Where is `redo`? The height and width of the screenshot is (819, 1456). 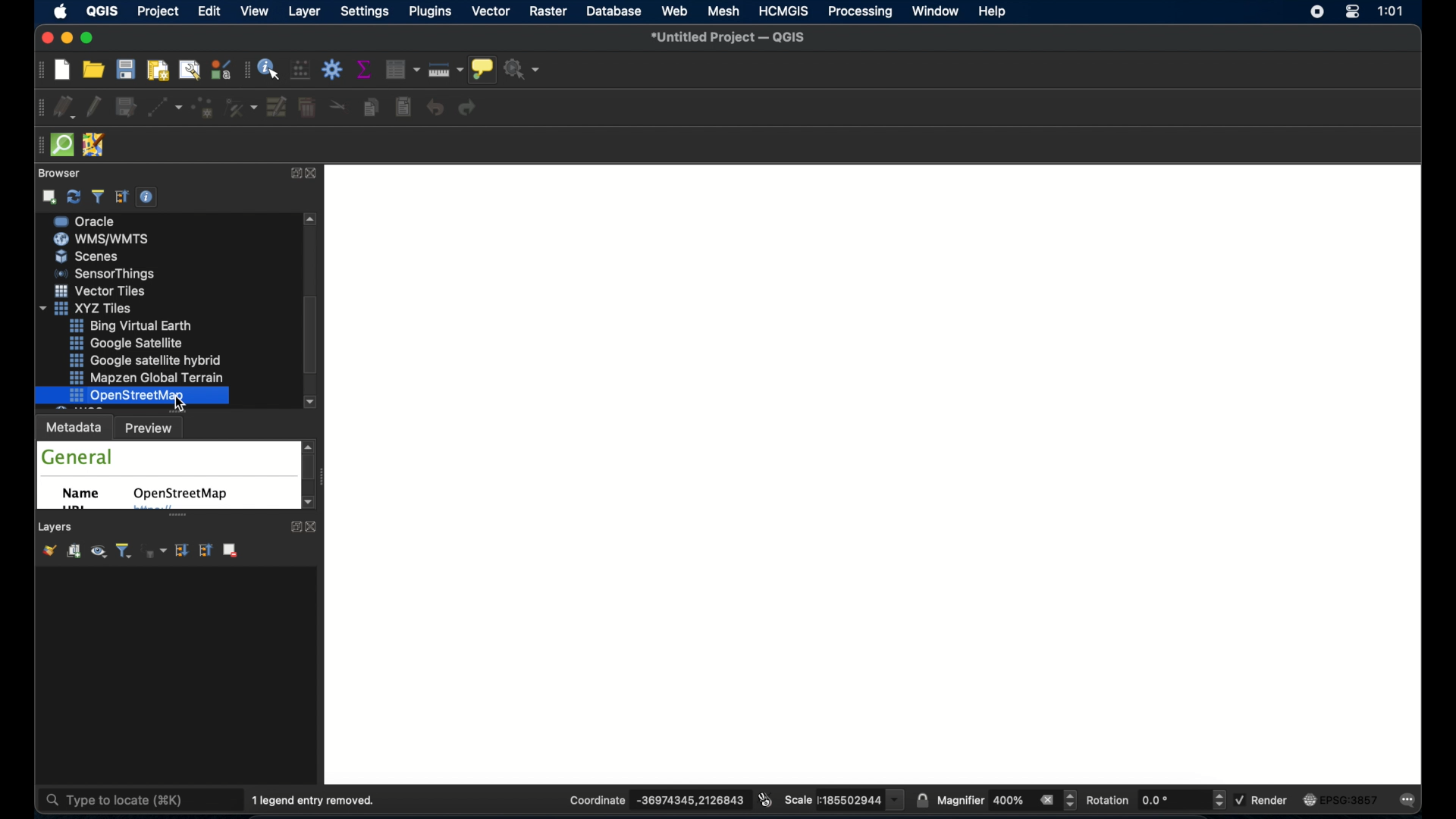
redo is located at coordinates (469, 109).